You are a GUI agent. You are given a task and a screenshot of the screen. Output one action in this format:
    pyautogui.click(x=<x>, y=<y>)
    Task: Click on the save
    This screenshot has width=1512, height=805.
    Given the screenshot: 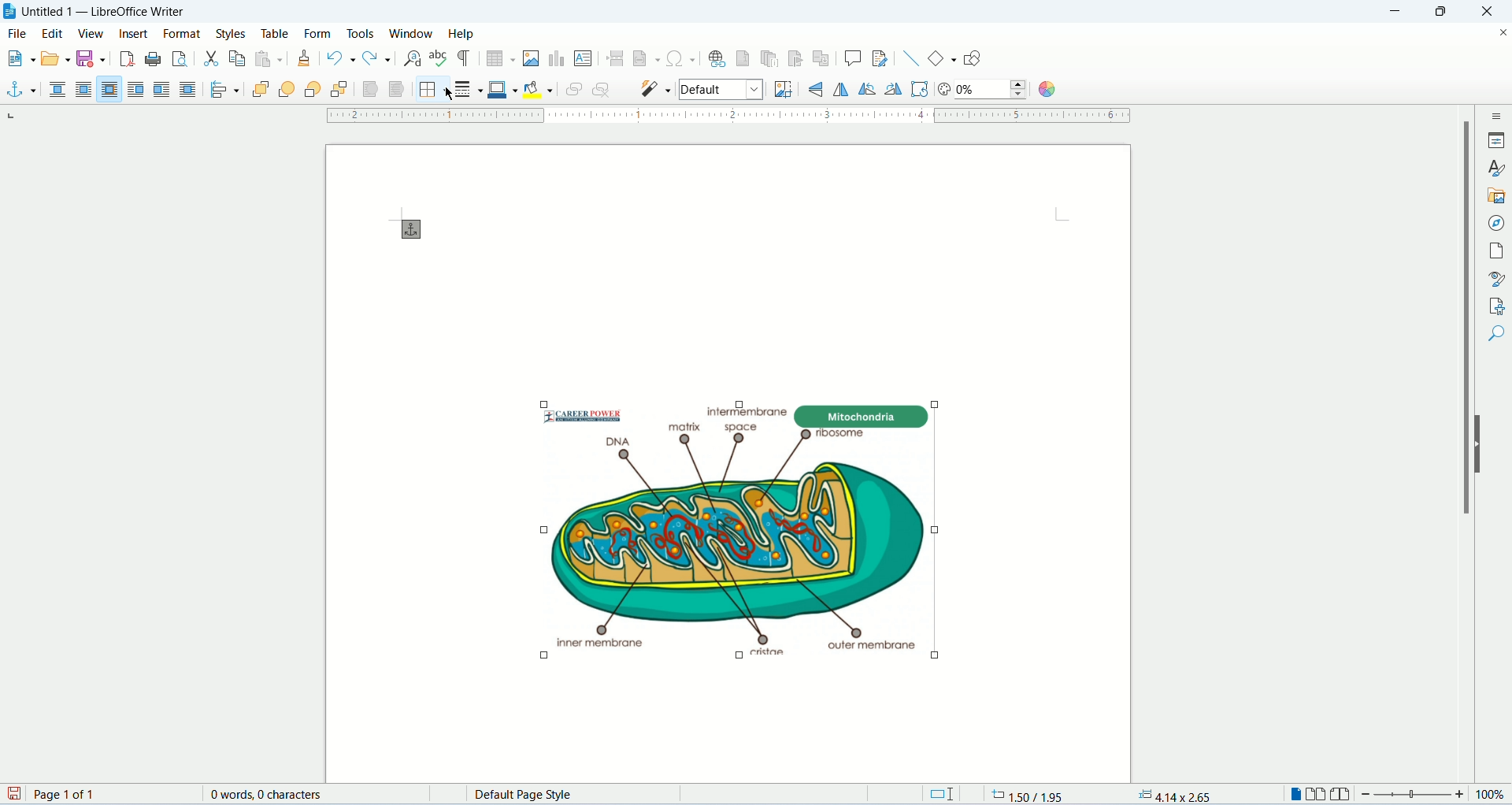 What is the action you would take?
    pyautogui.click(x=90, y=59)
    